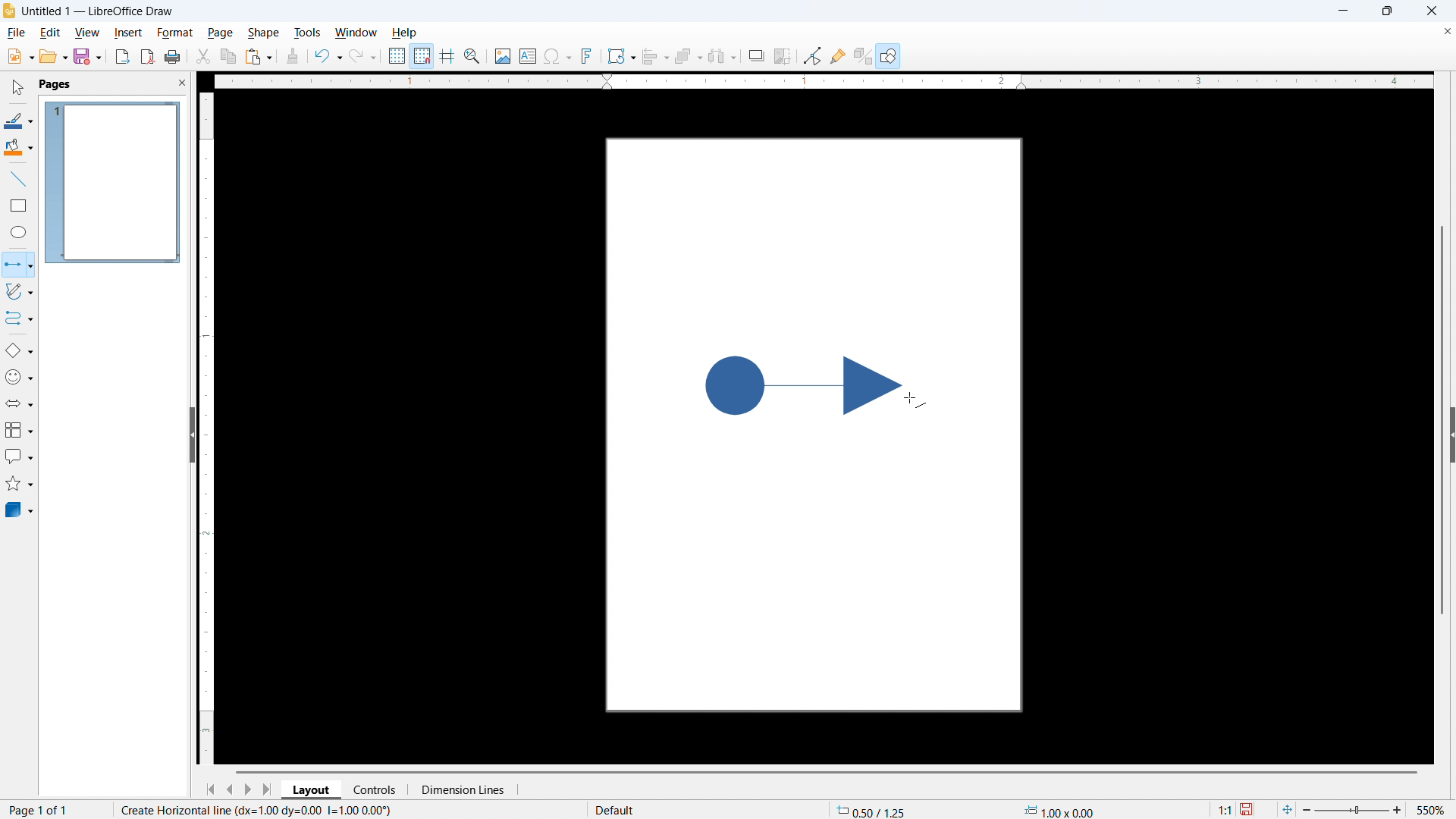 The image size is (1456, 819). Describe the element at coordinates (1059, 810) in the screenshot. I see `Object dimensions (1.00x0.00))` at that location.